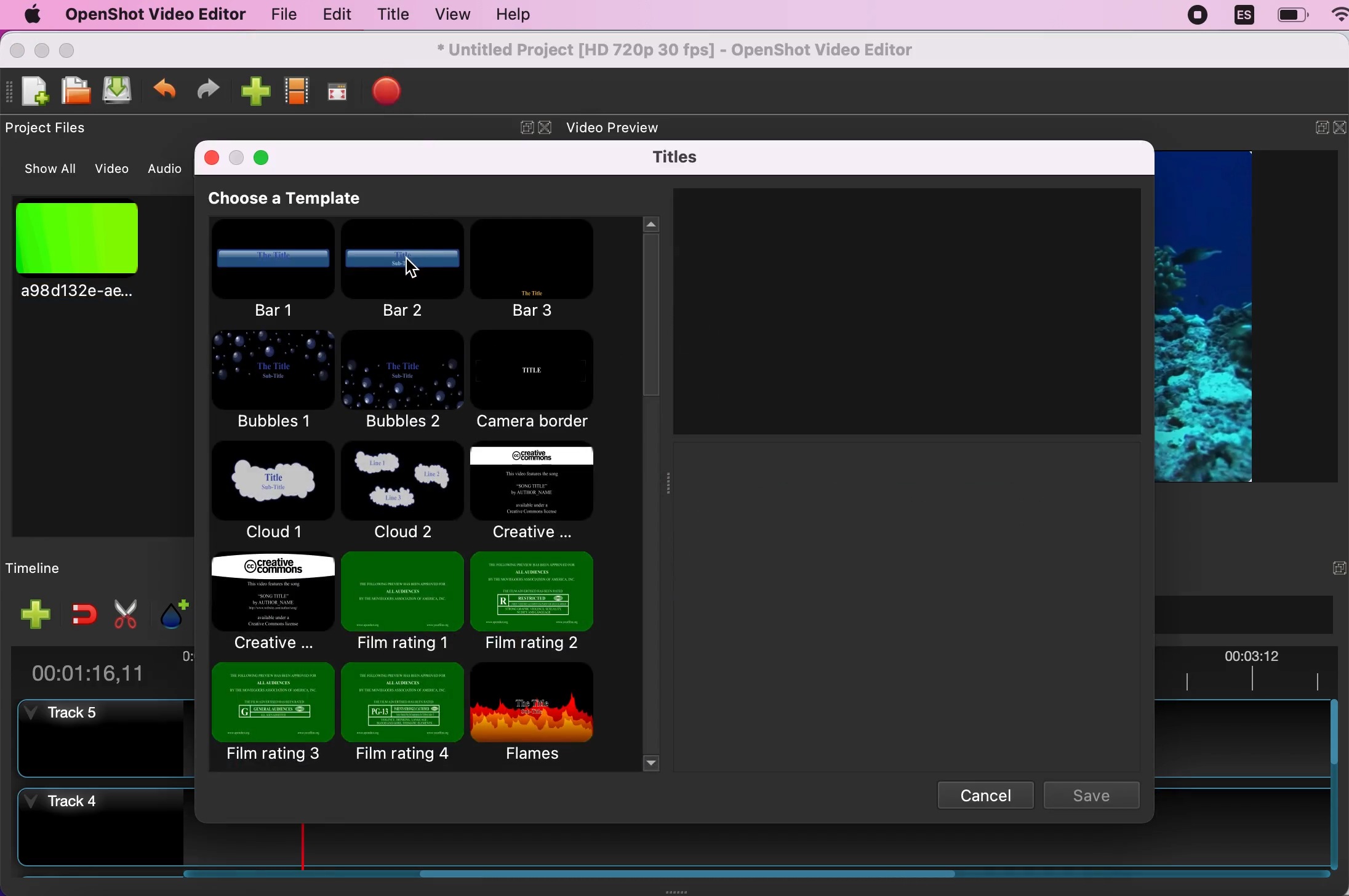  Describe the element at coordinates (271, 603) in the screenshot. I see `creative commons` at that location.